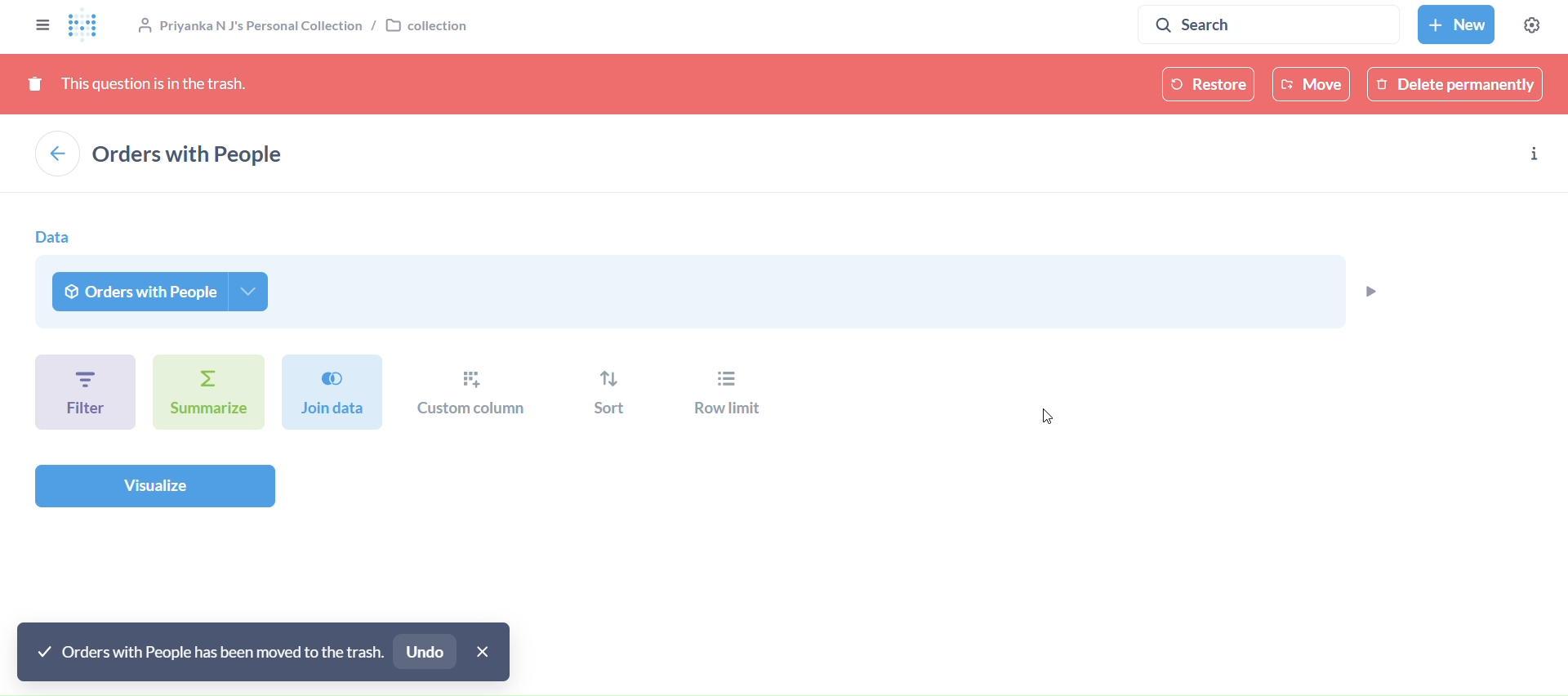 Image resolution: width=1568 pixels, height=696 pixels. What do you see at coordinates (42, 25) in the screenshot?
I see `close sidebar` at bounding box center [42, 25].